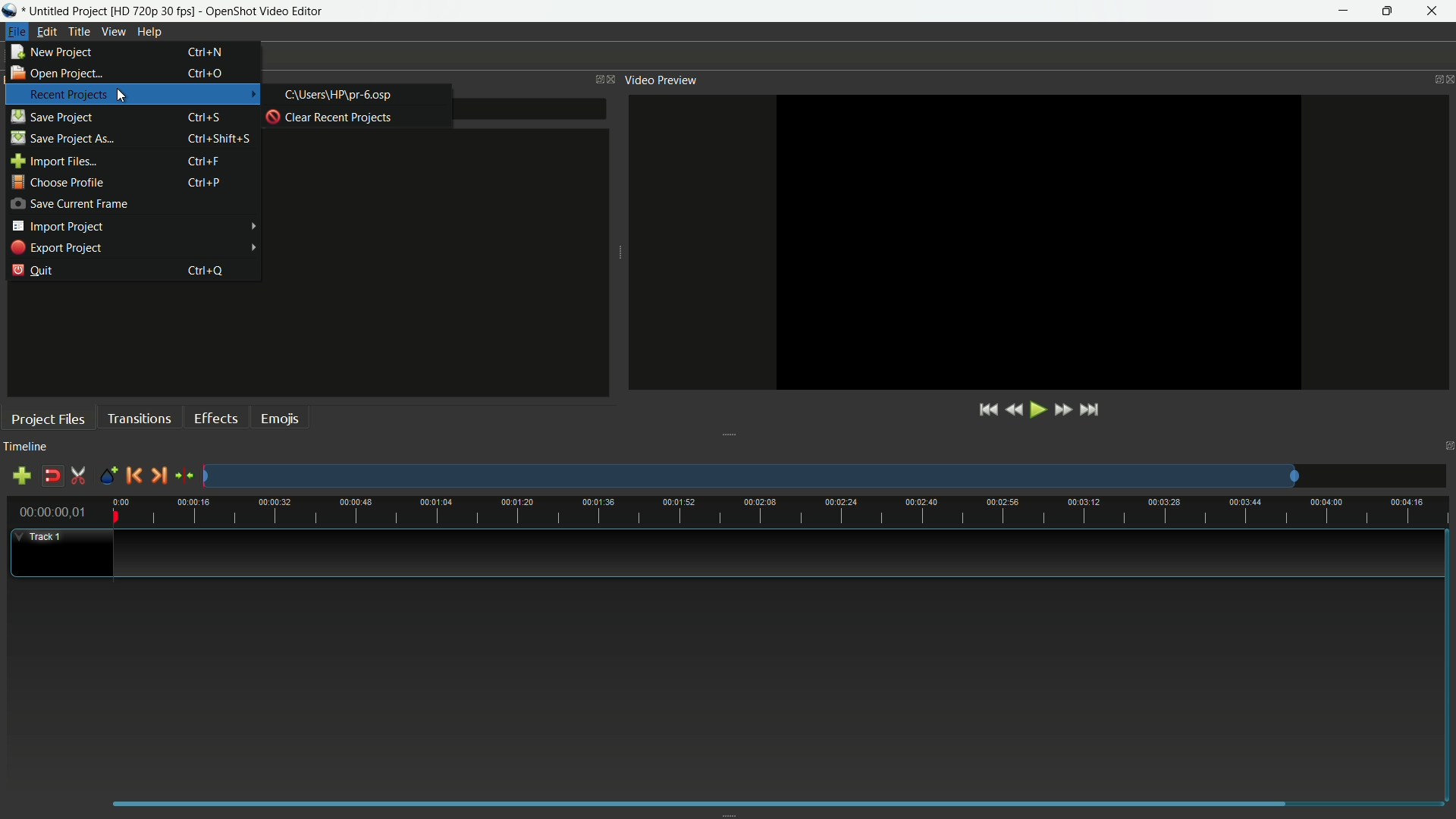 The height and width of the screenshot is (819, 1456). What do you see at coordinates (152, 11) in the screenshot?
I see `profile` at bounding box center [152, 11].